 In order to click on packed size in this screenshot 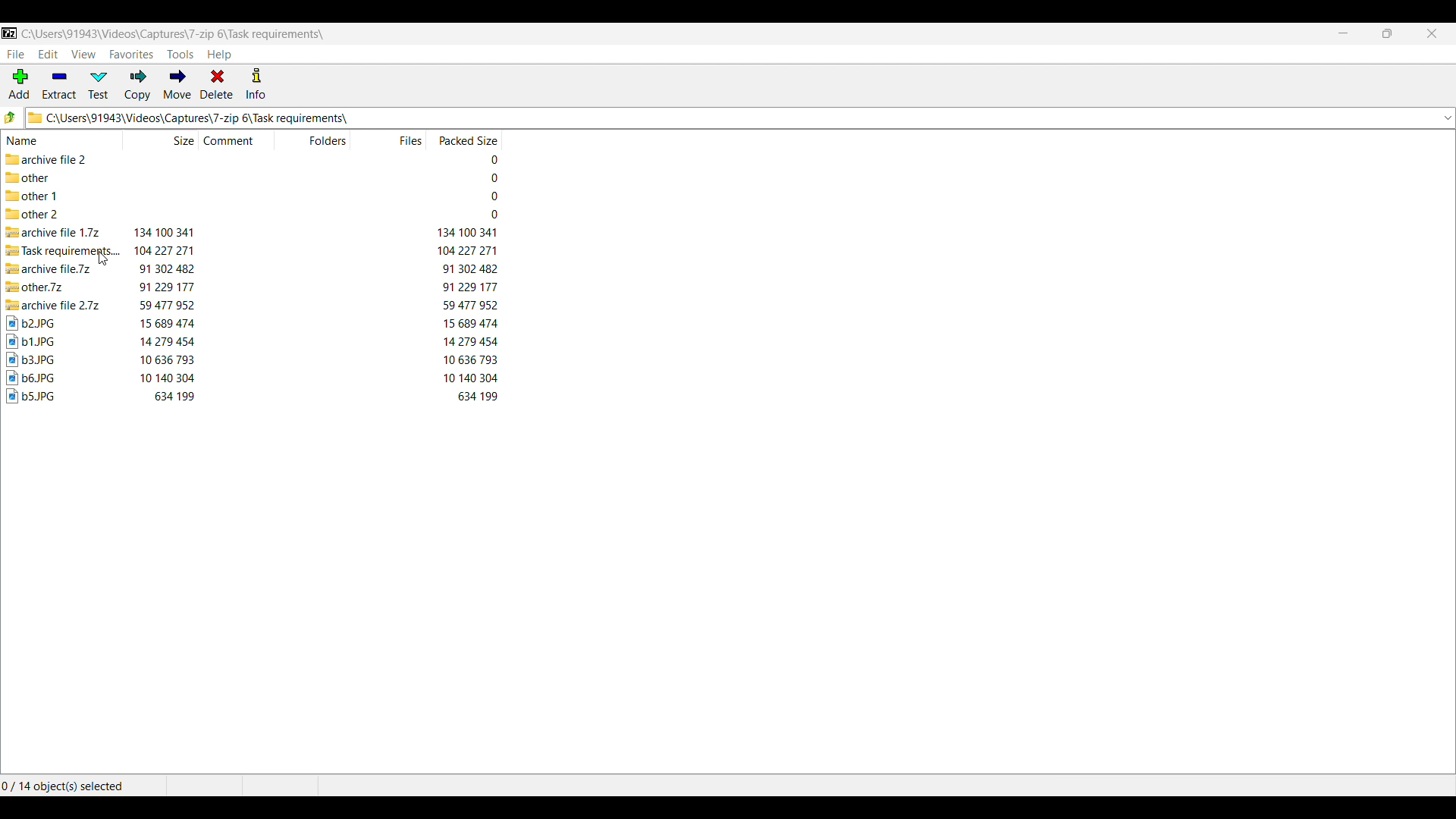, I will do `click(463, 196)`.